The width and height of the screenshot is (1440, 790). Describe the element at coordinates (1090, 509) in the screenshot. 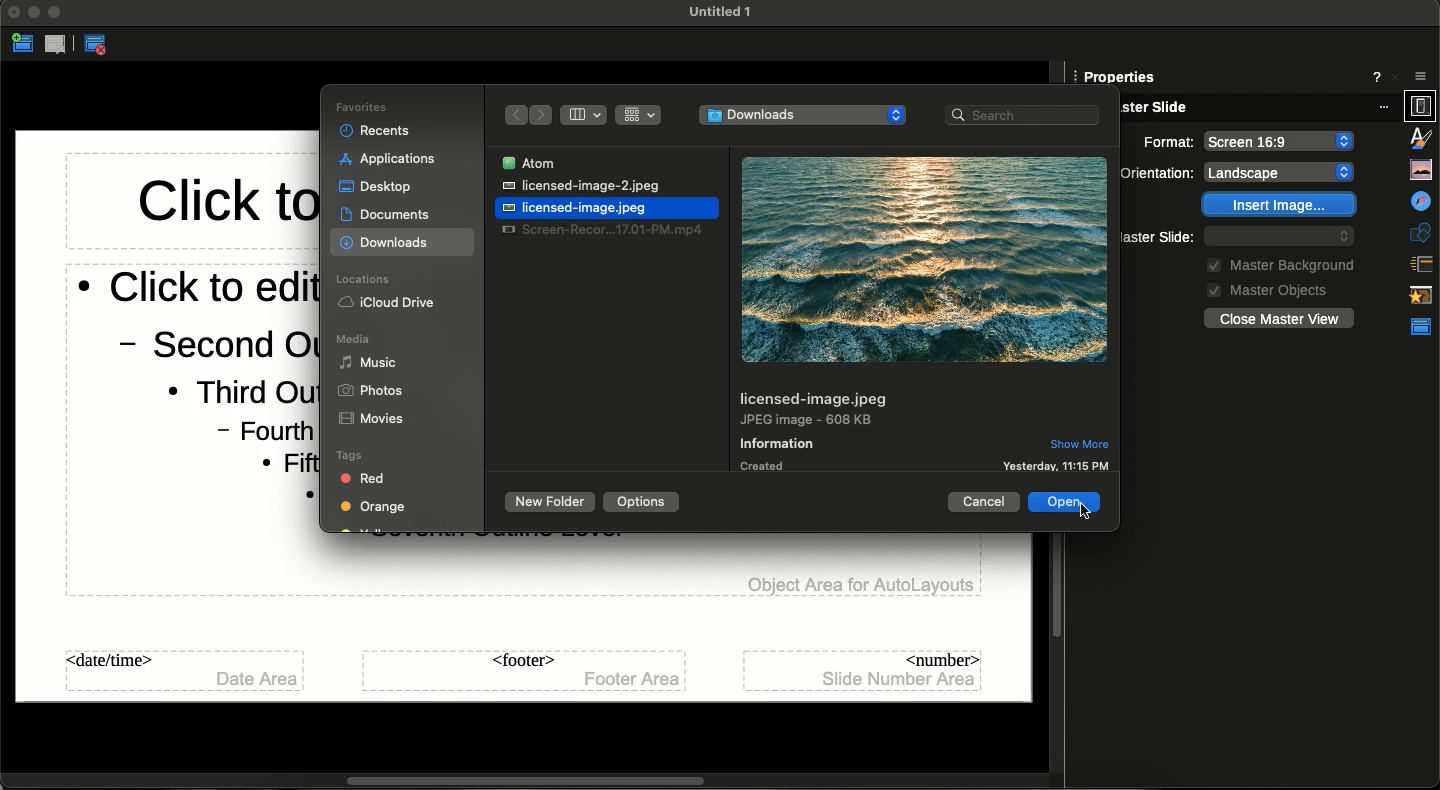

I see `Master view` at that location.